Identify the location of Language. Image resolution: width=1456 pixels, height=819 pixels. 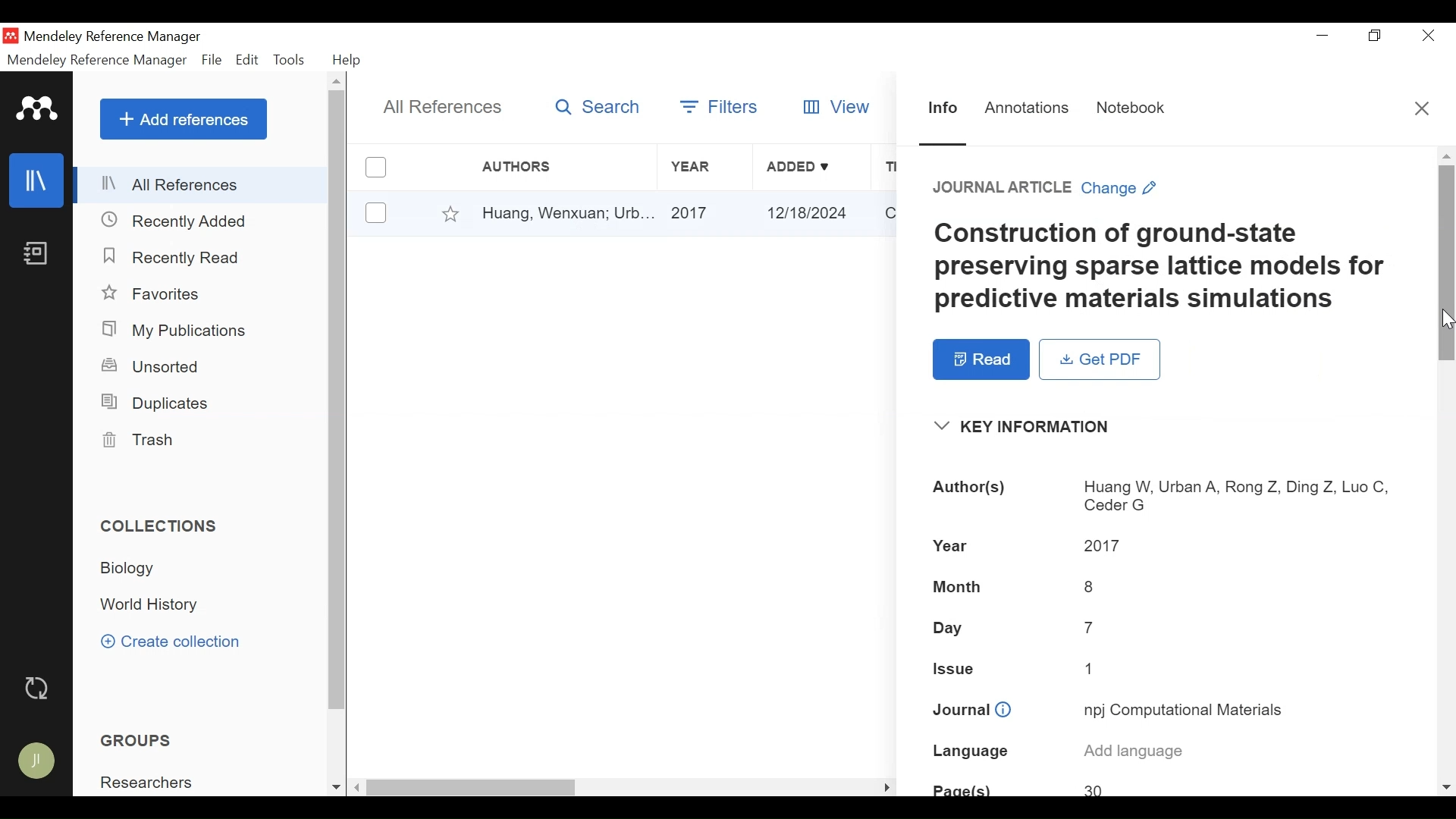
(971, 752).